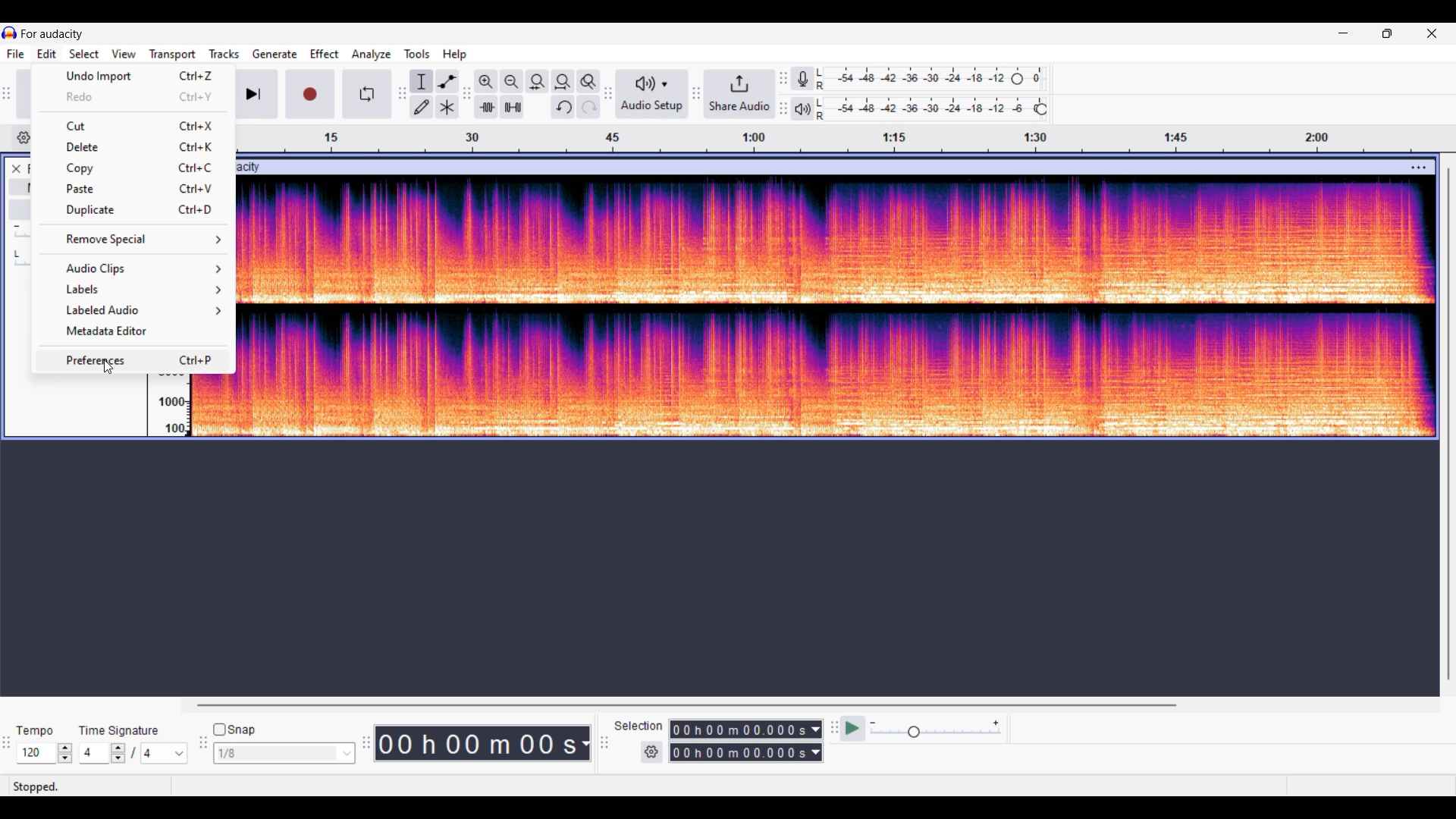 This screenshot has width=1456, height=819. I want to click on Project name, so click(52, 34).